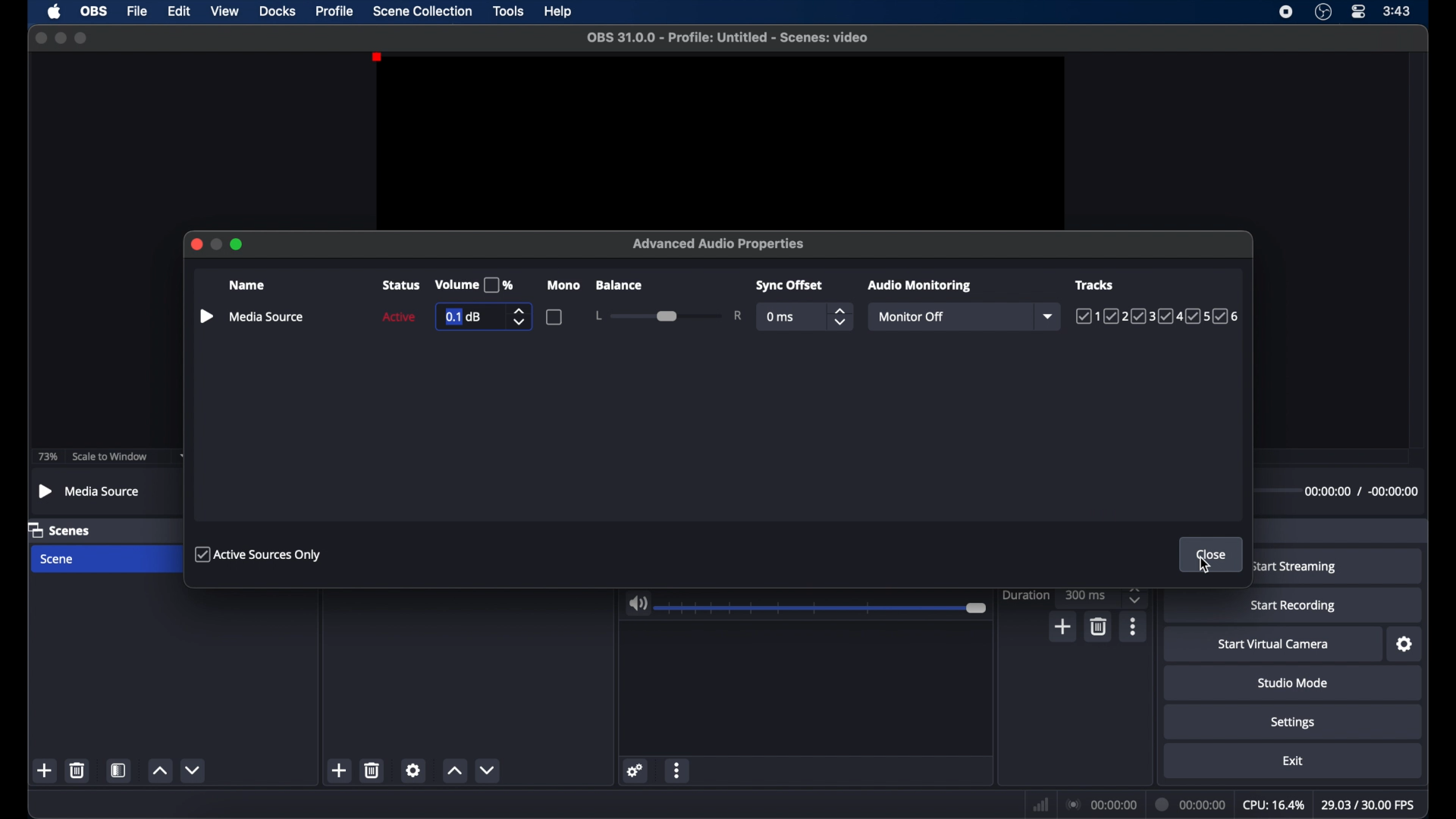 The height and width of the screenshot is (819, 1456). Describe the element at coordinates (1294, 683) in the screenshot. I see `studio mode` at that location.